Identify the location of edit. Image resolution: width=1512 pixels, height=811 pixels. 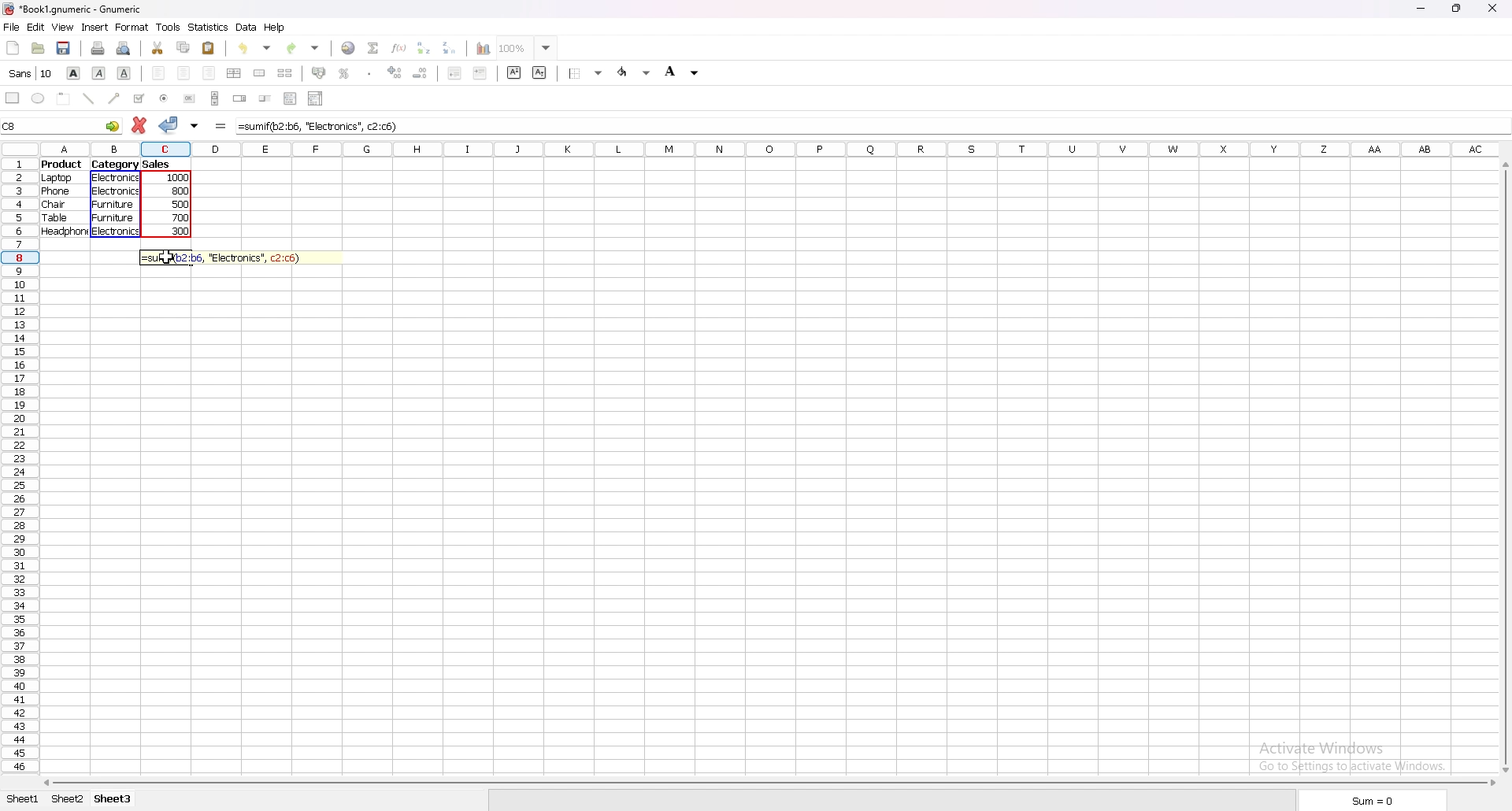
(37, 27).